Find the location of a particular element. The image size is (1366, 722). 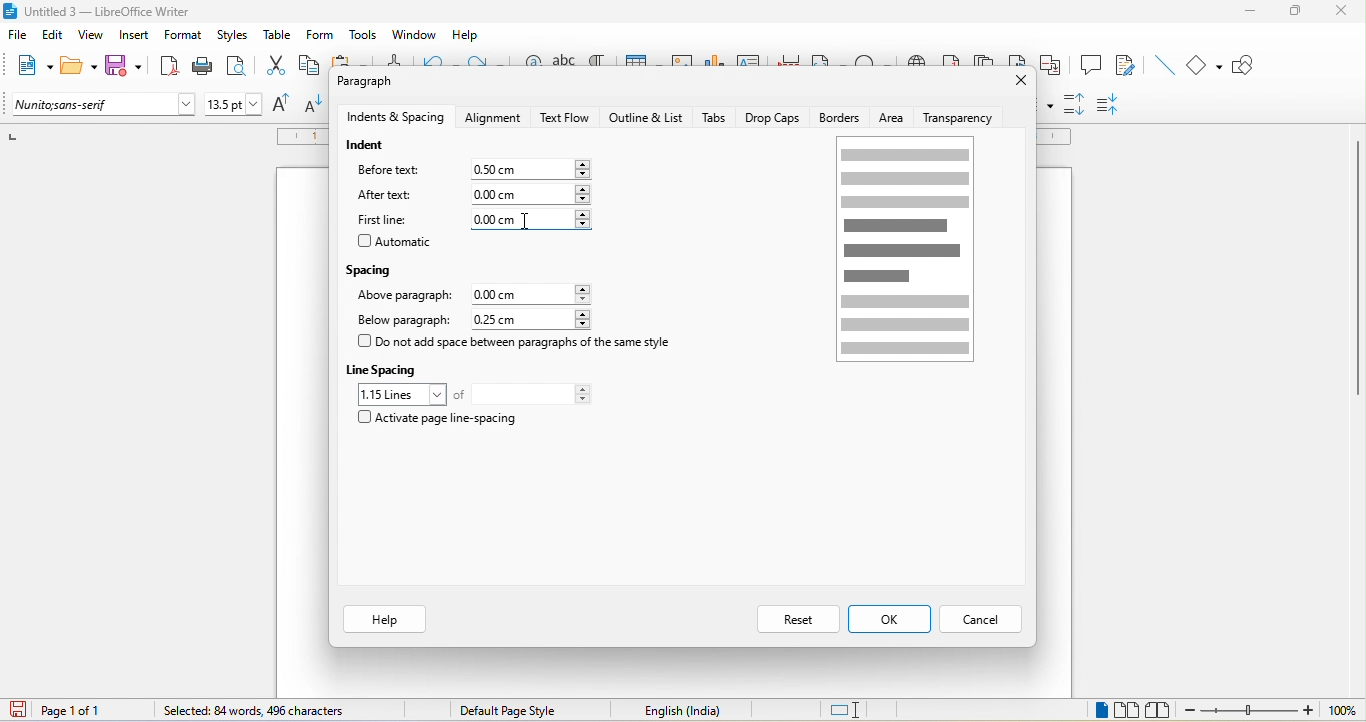

form is located at coordinates (319, 34).